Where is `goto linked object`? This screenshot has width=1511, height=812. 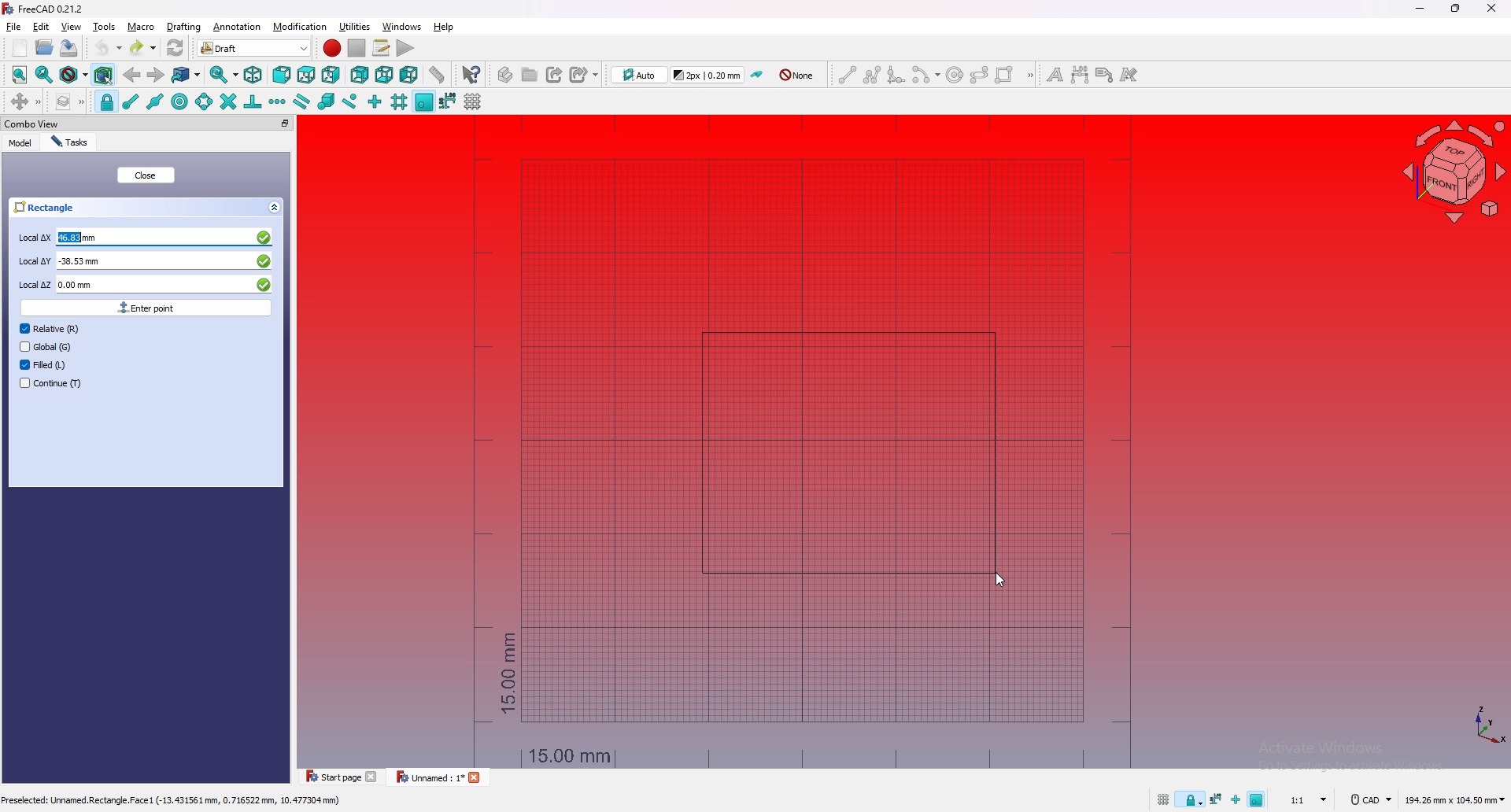
goto linked object is located at coordinates (187, 76).